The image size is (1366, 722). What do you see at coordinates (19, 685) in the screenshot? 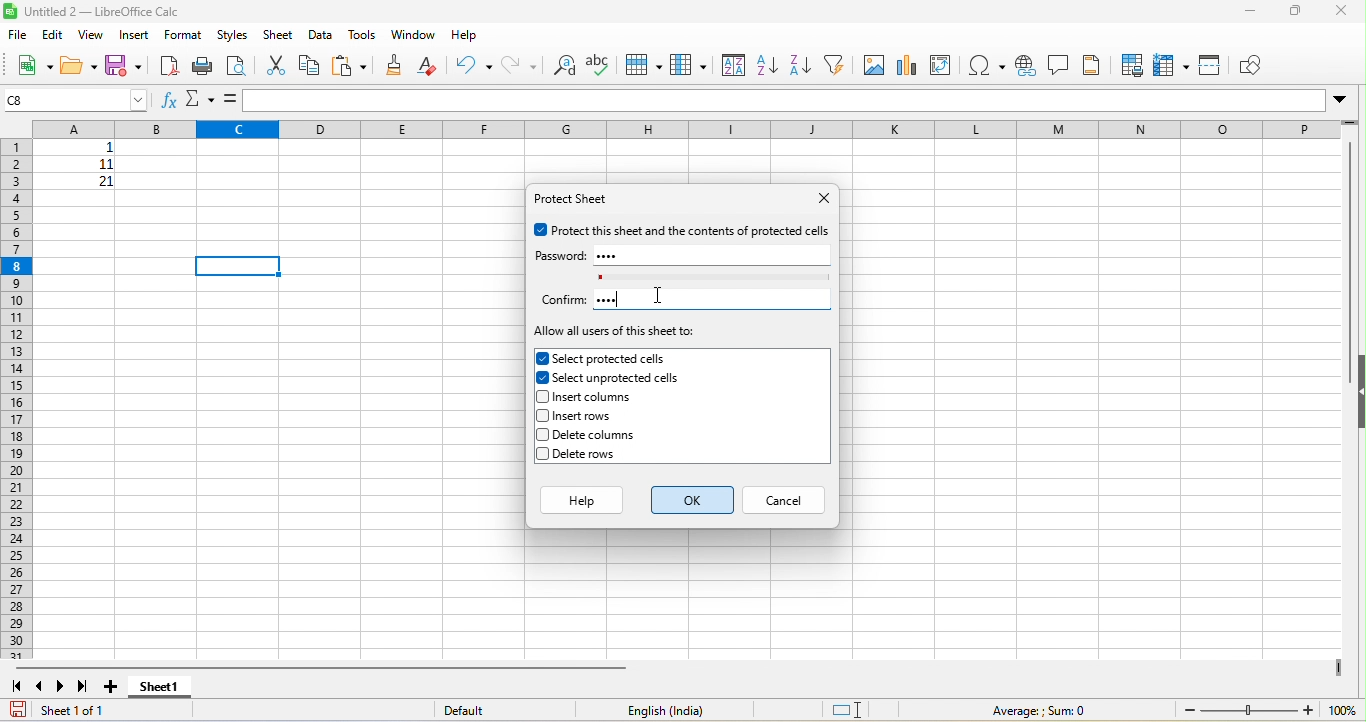
I see `first sheet` at bounding box center [19, 685].